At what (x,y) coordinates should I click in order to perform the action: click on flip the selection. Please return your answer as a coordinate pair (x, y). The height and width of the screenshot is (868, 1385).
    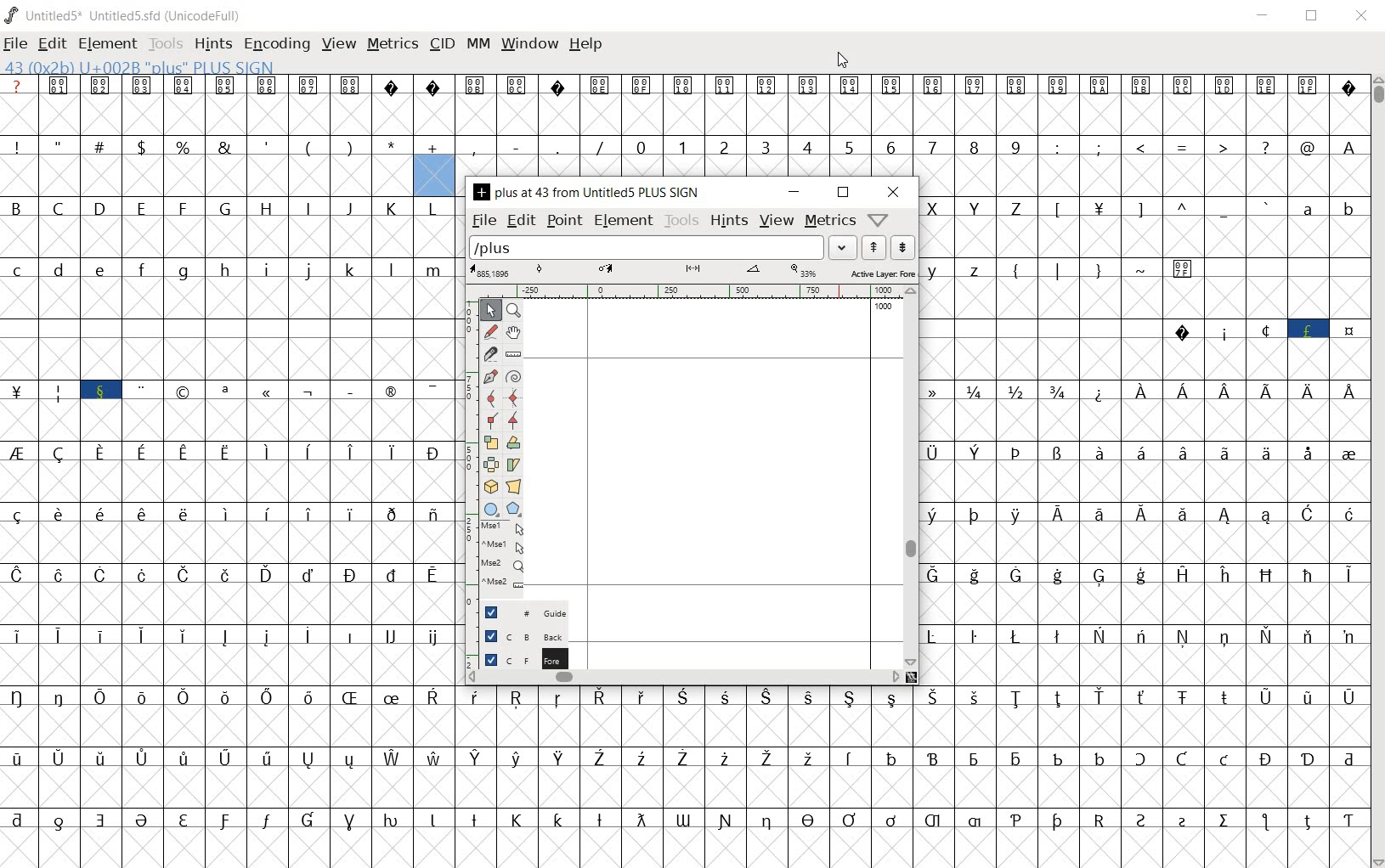
    Looking at the image, I should click on (489, 465).